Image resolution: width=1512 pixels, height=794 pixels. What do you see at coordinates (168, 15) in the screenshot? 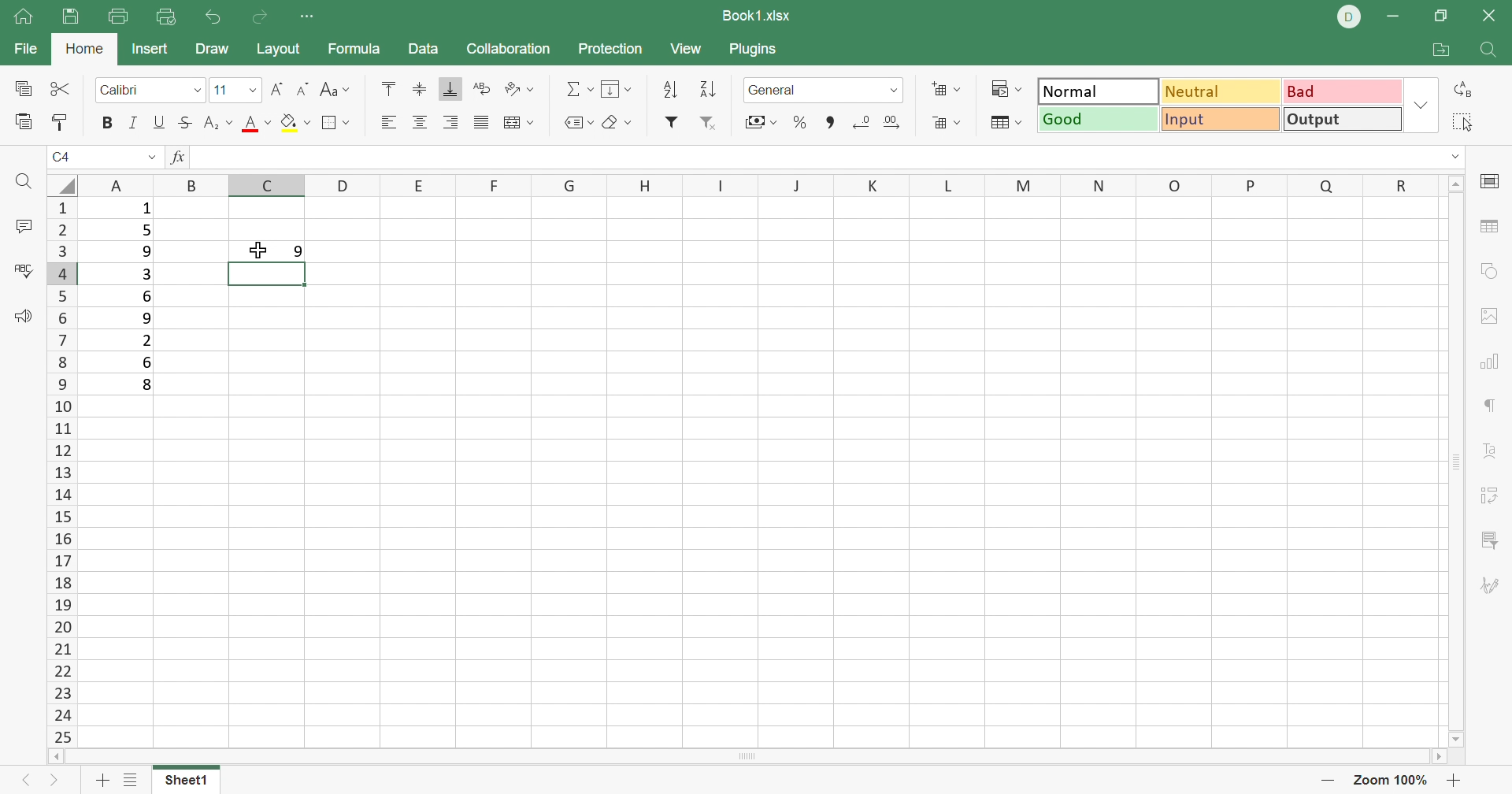
I see `Quick print` at bounding box center [168, 15].